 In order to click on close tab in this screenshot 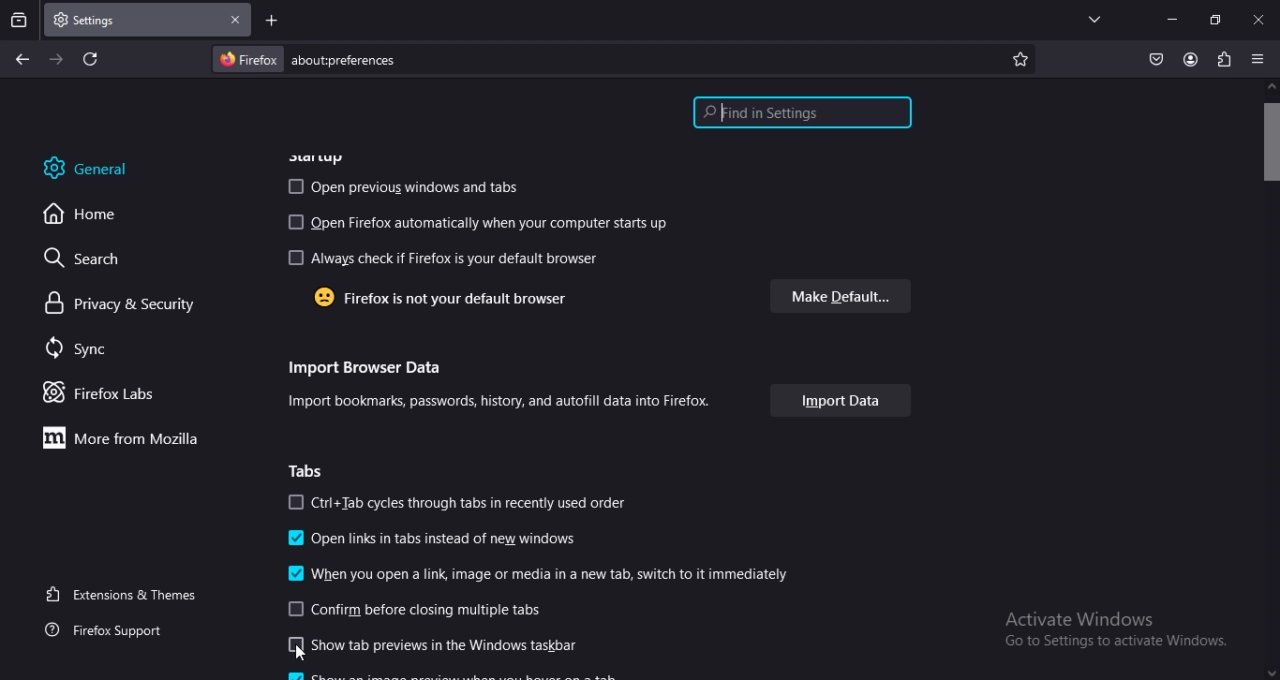, I will do `click(232, 20)`.